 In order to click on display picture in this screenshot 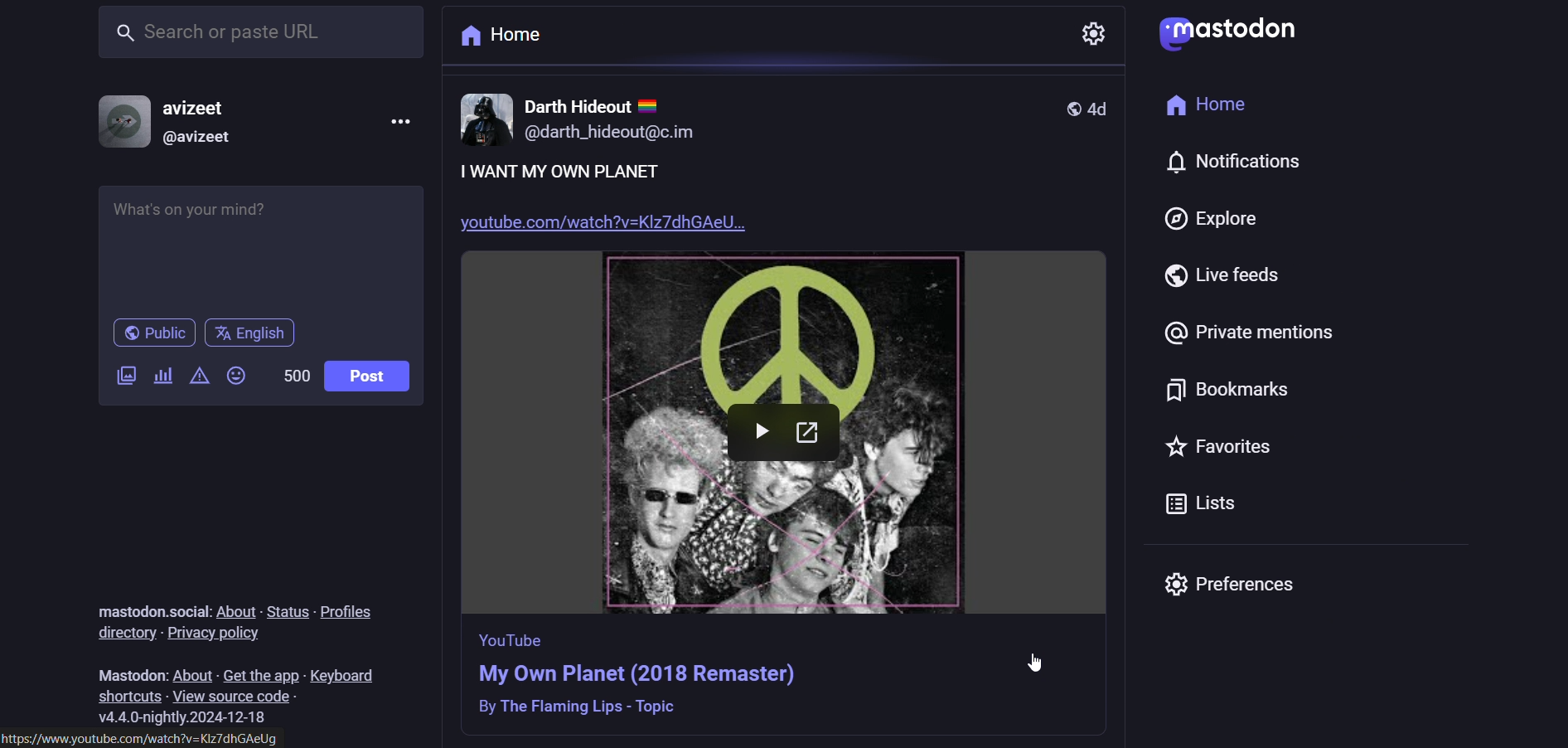, I will do `click(118, 119)`.